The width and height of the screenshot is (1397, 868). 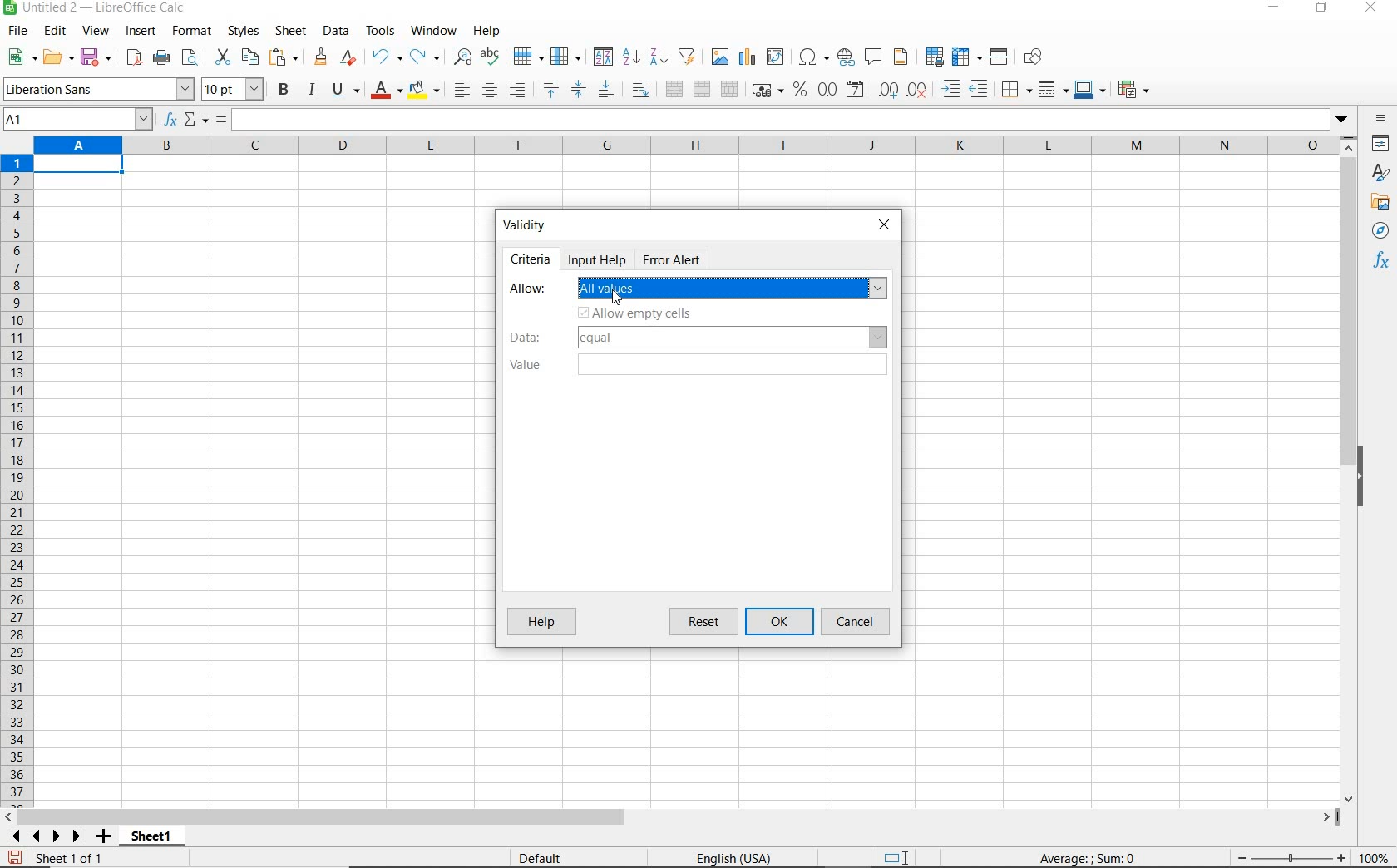 I want to click on select function, so click(x=196, y=121).